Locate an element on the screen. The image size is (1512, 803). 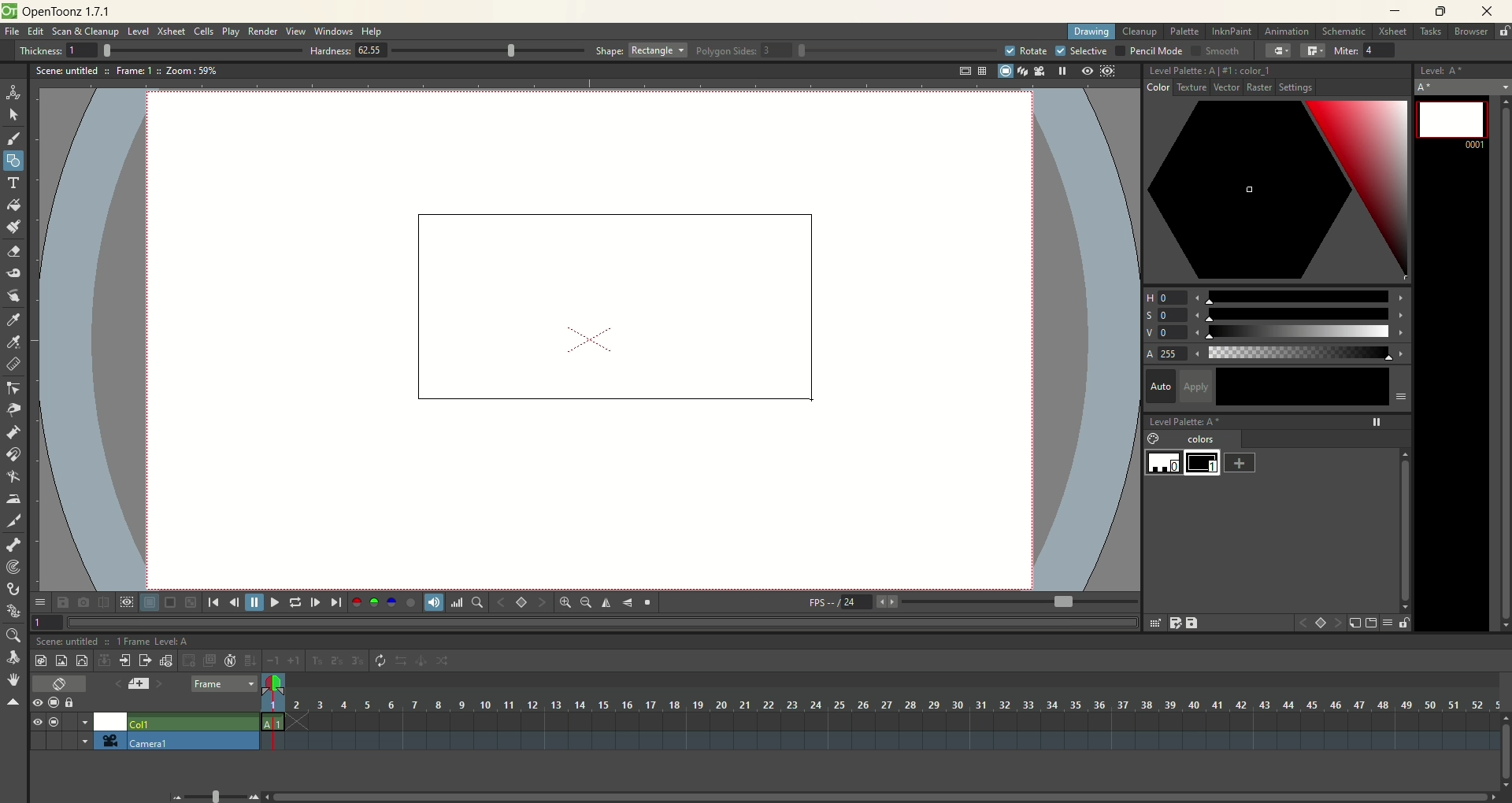
eraser tool is located at coordinates (13, 253).